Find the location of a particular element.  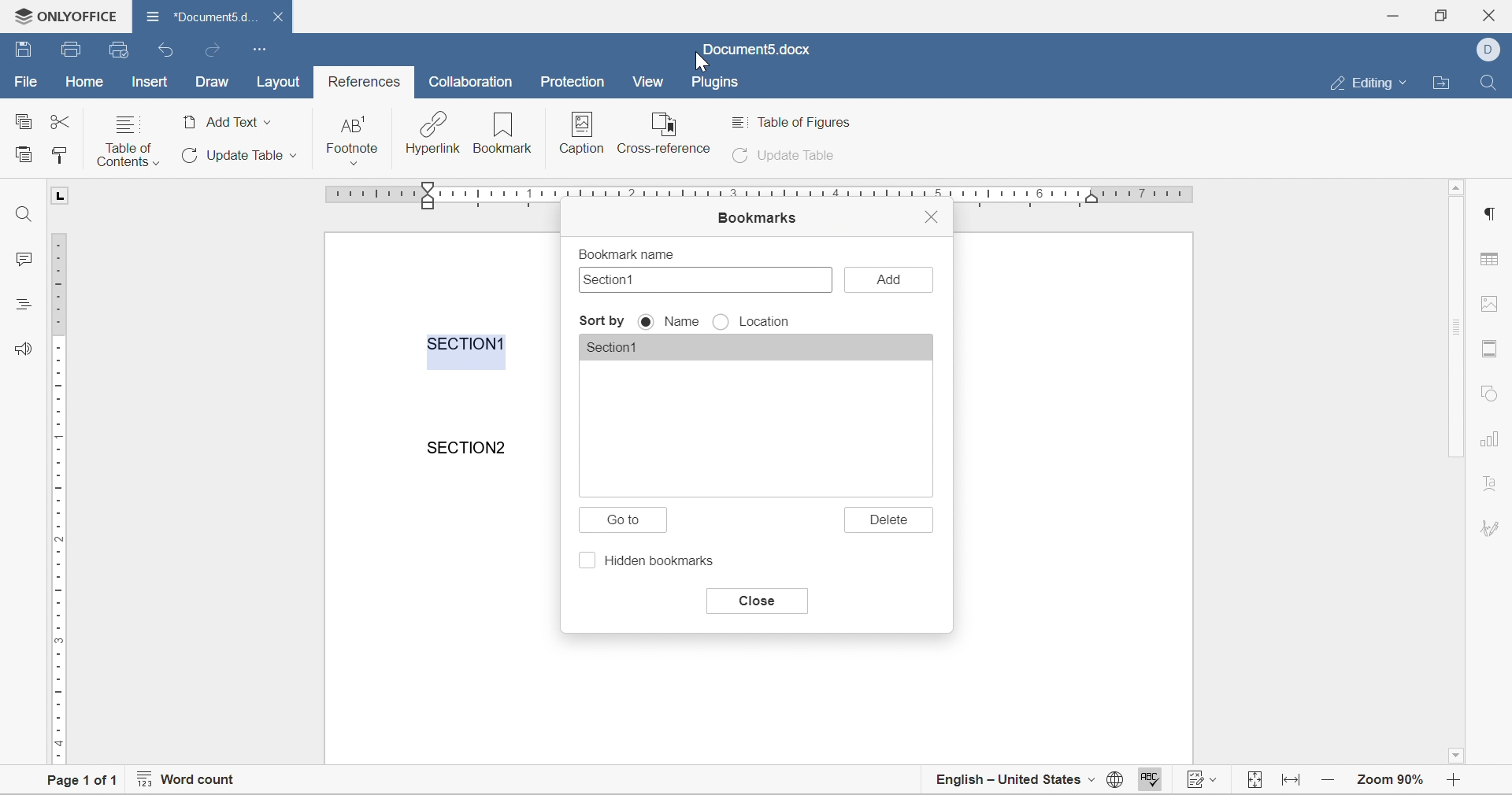

home is located at coordinates (86, 81).